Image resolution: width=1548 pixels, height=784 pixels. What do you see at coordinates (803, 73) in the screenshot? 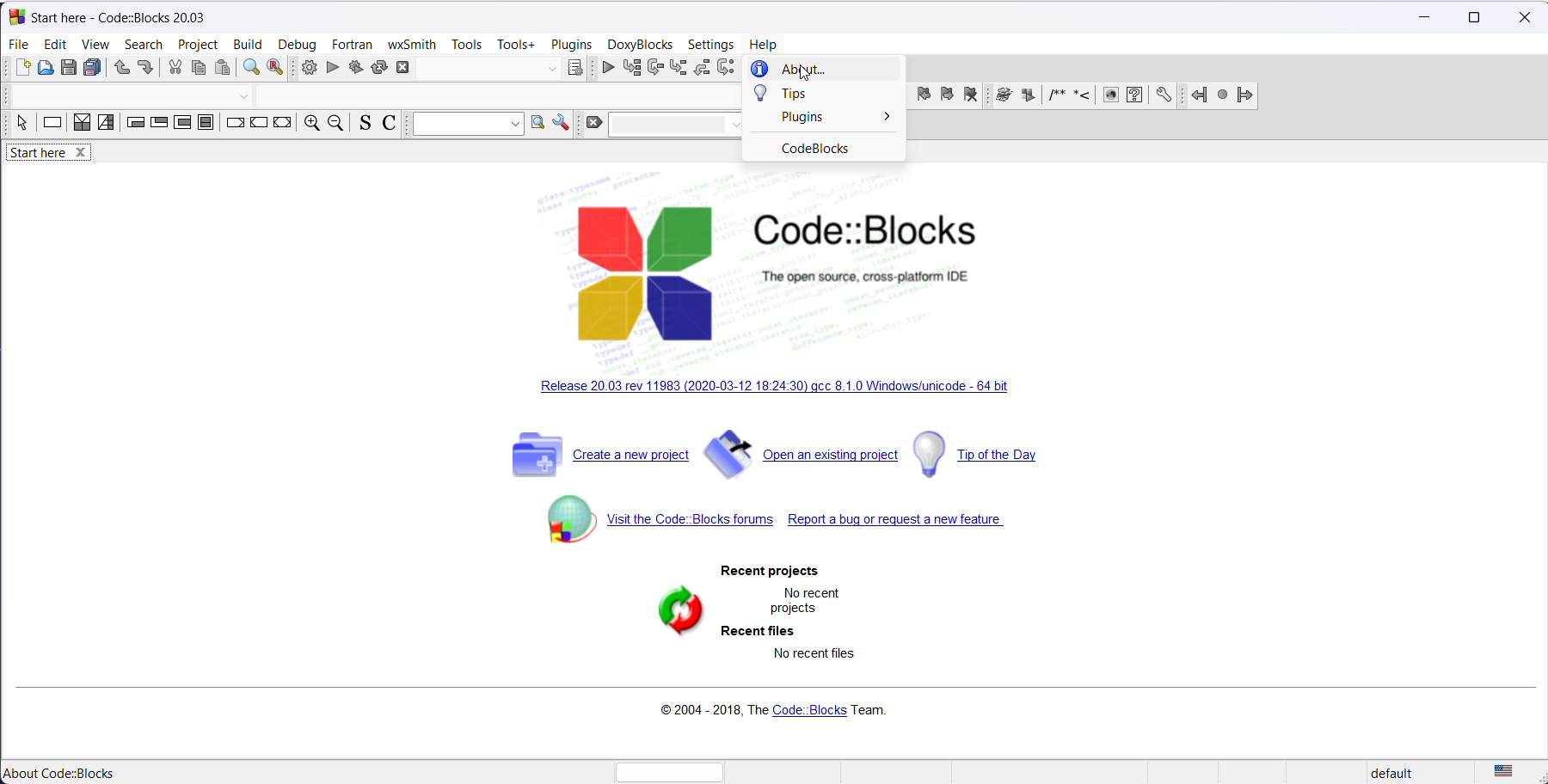
I see `cursor` at bounding box center [803, 73].